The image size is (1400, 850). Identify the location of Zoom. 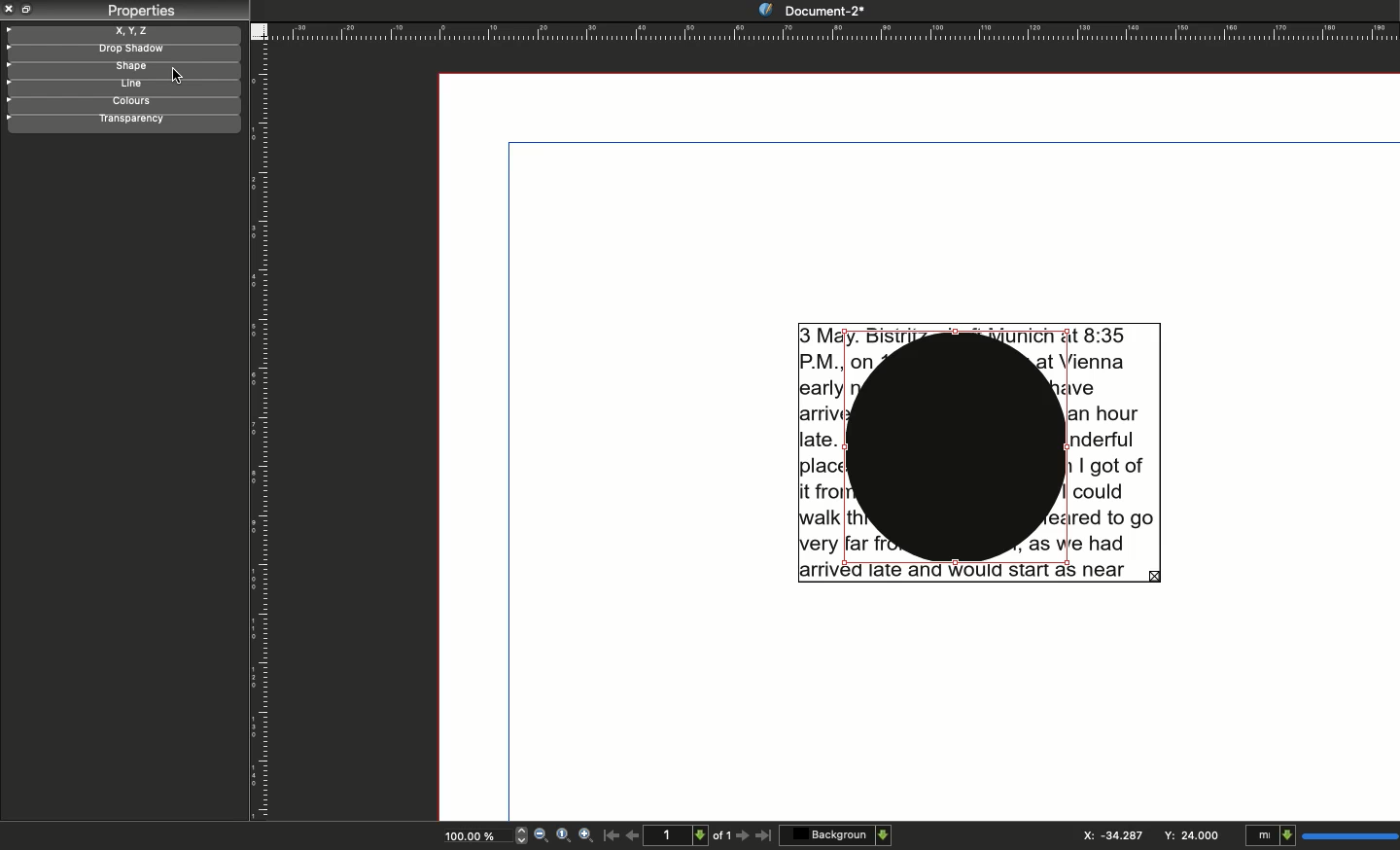
(563, 837).